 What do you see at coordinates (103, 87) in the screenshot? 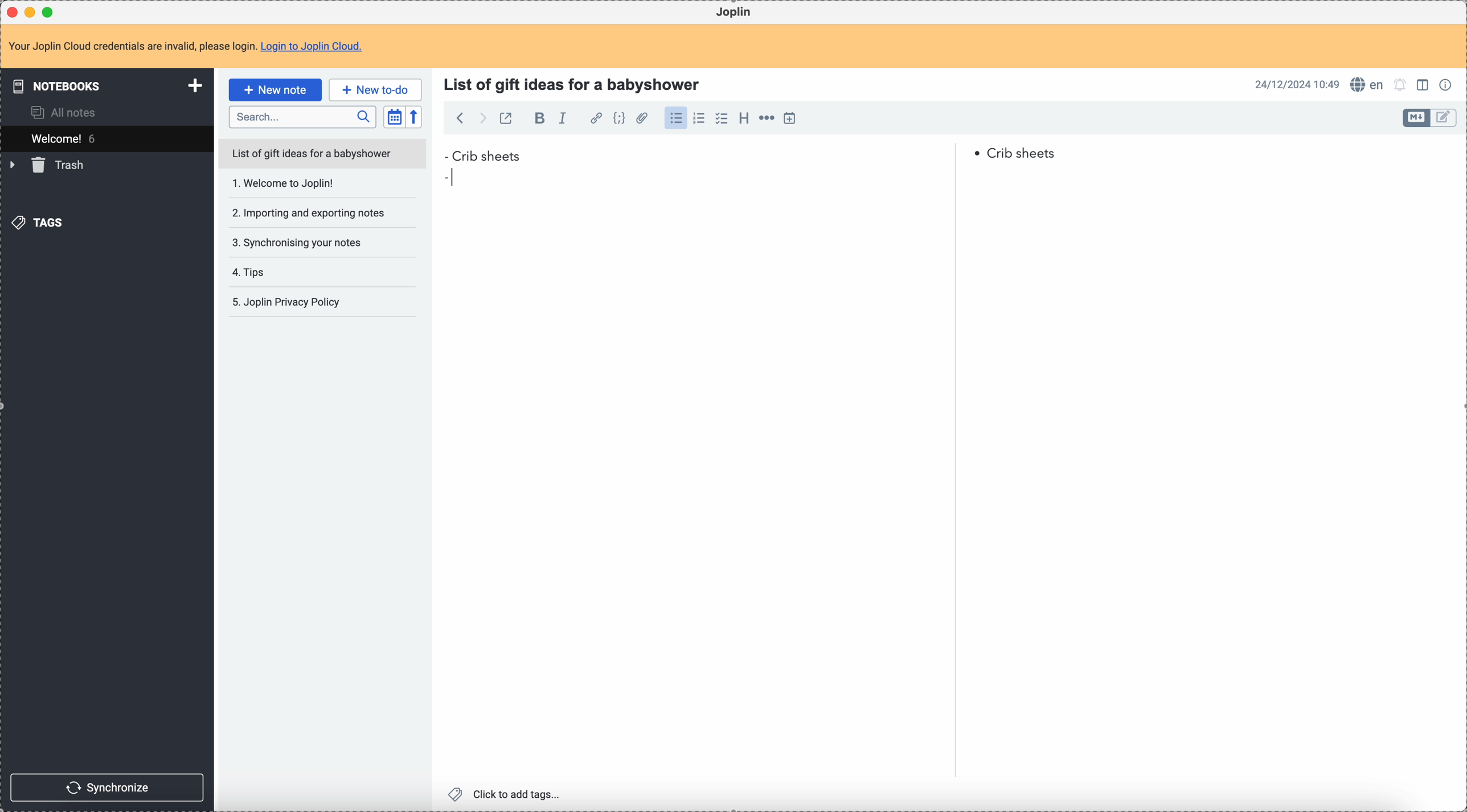
I see `notebooks` at bounding box center [103, 87].